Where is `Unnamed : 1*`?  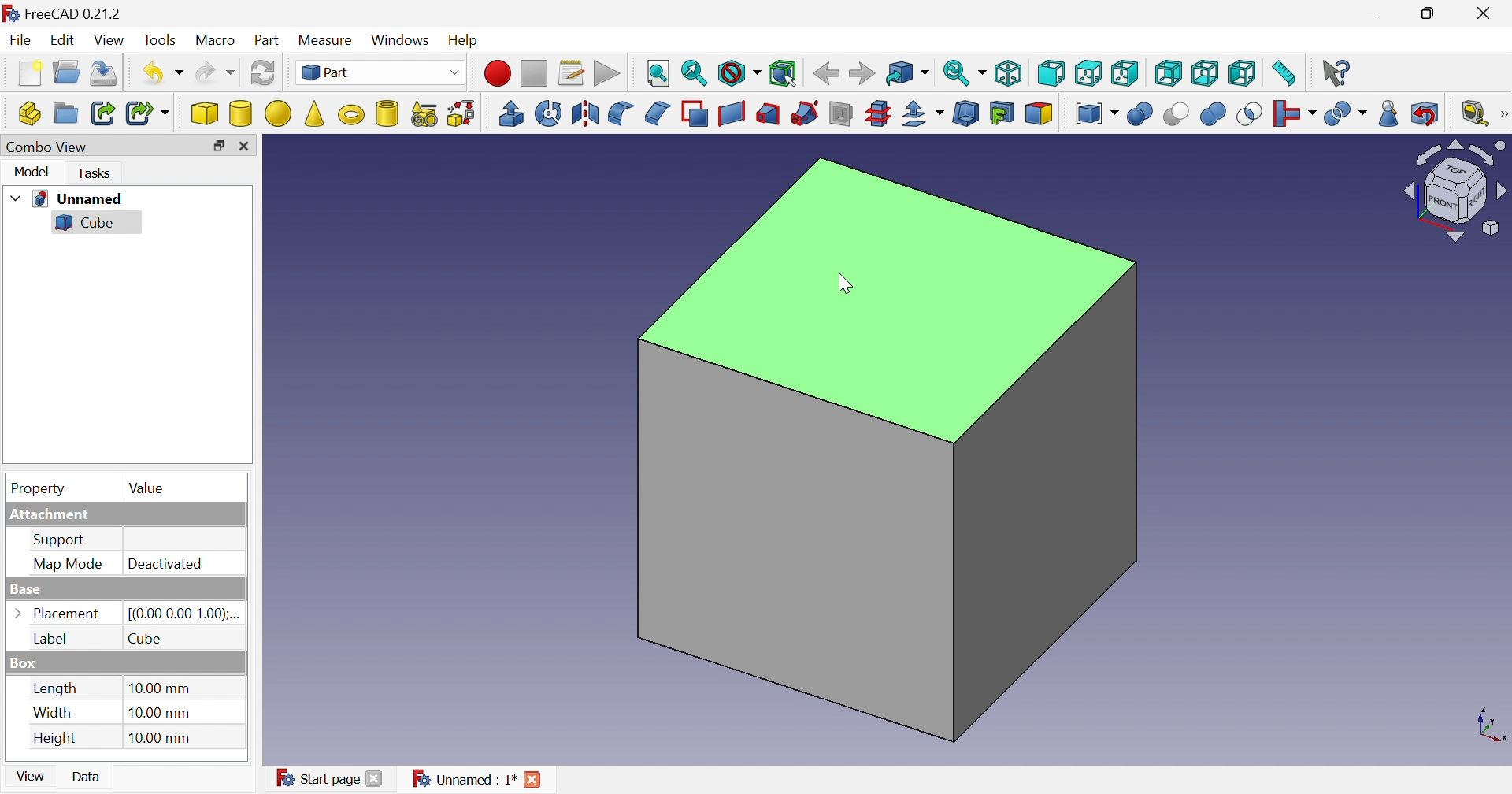 Unnamed : 1* is located at coordinates (463, 778).